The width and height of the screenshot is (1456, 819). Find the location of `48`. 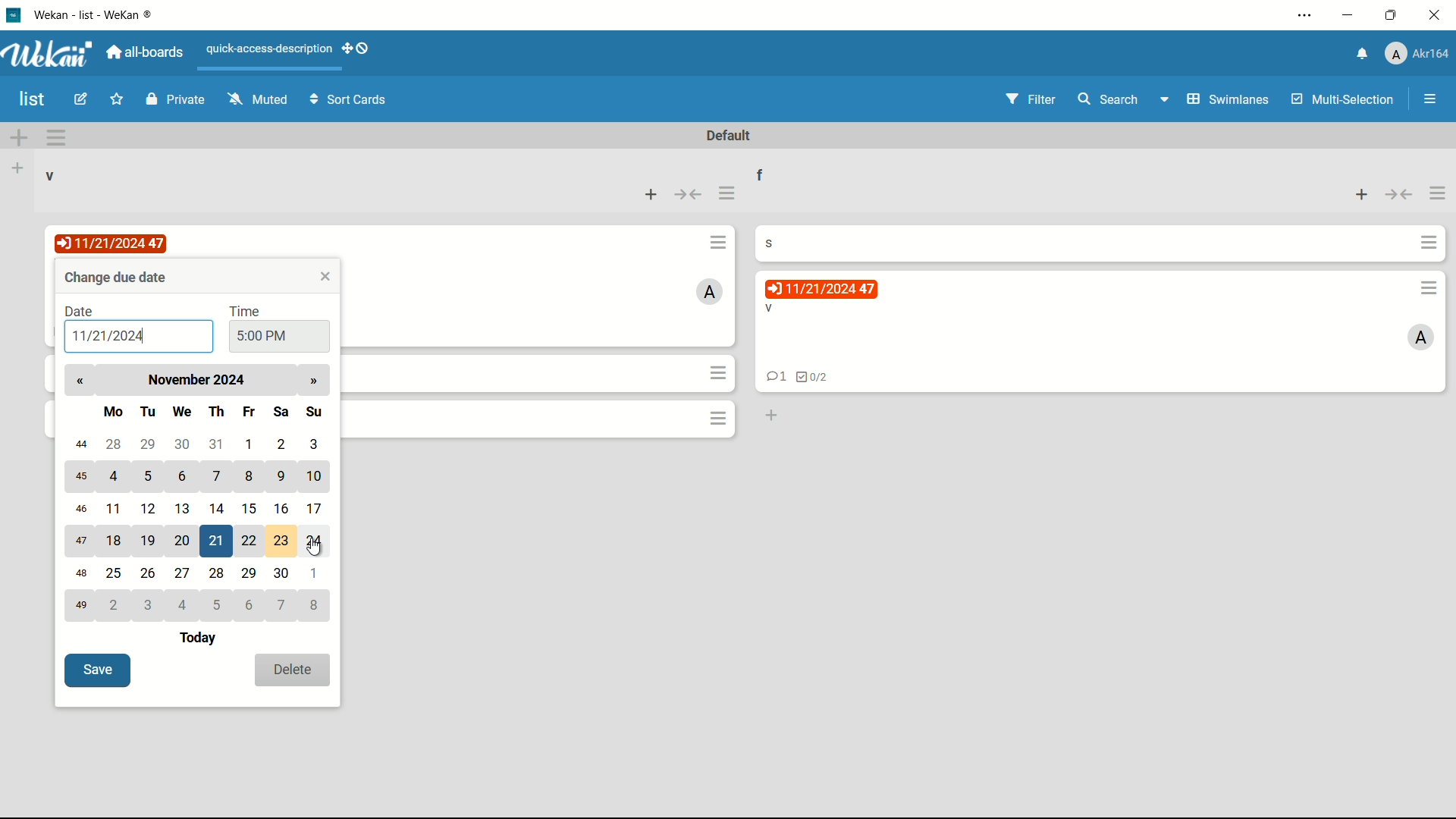

48 is located at coordinates (82, 576).